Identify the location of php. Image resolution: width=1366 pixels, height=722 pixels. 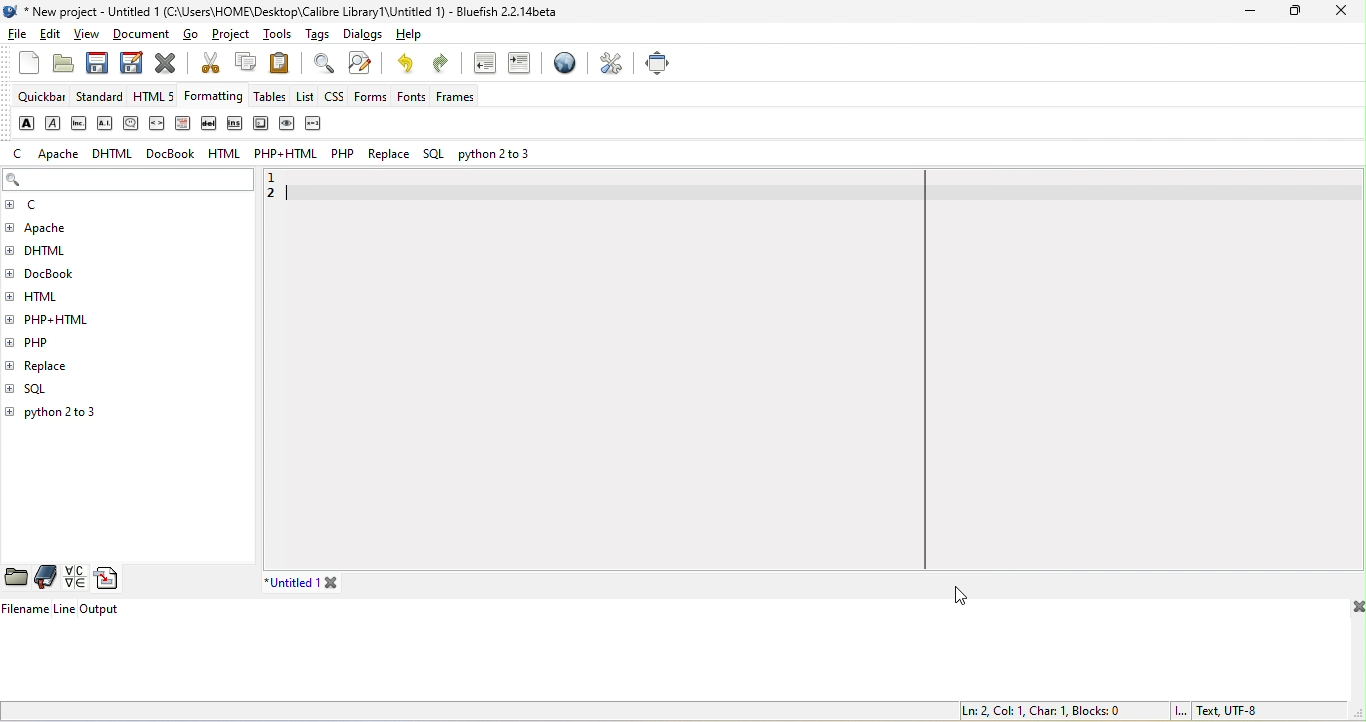
(345, 156).